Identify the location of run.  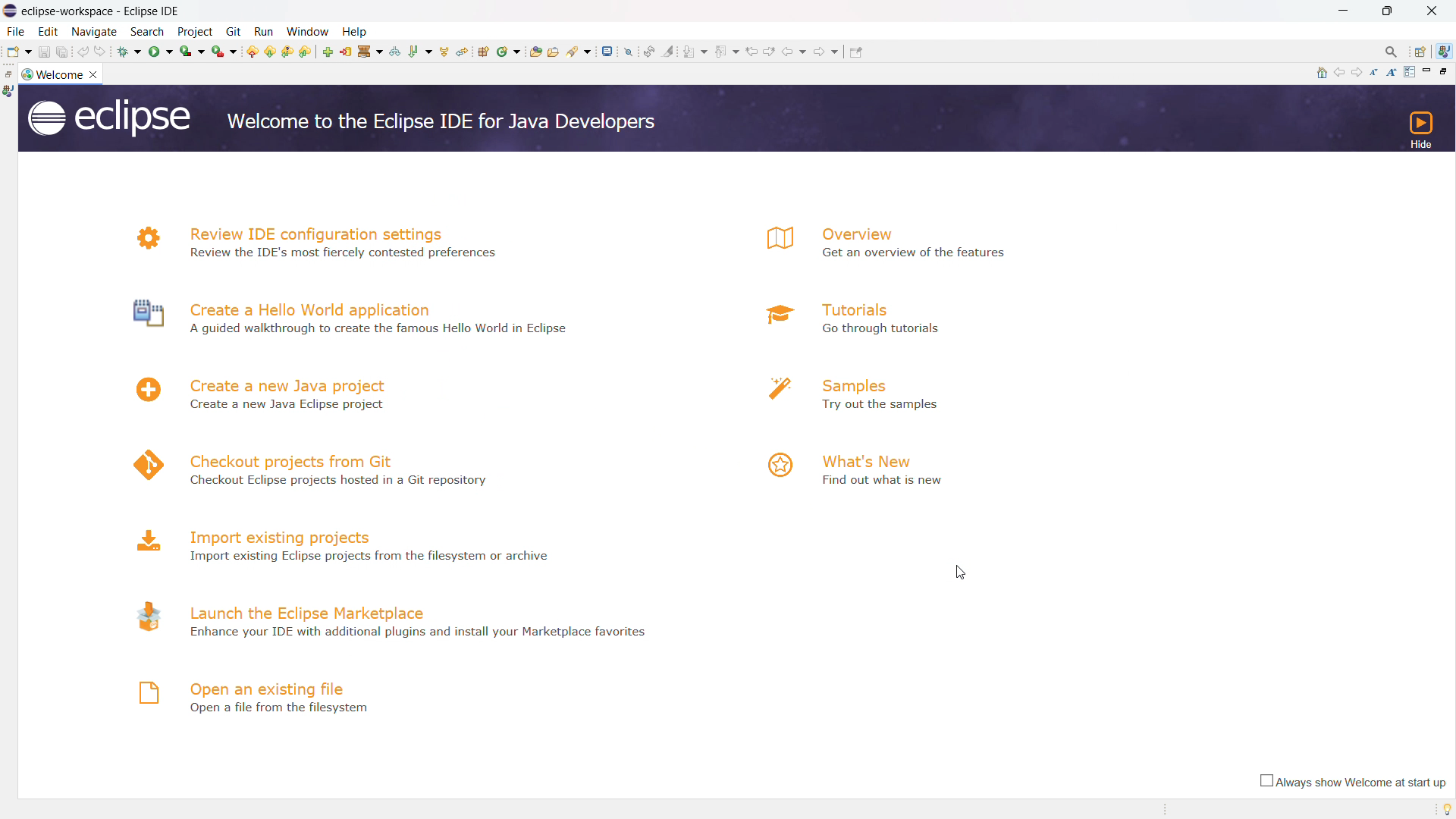
(234, 32).